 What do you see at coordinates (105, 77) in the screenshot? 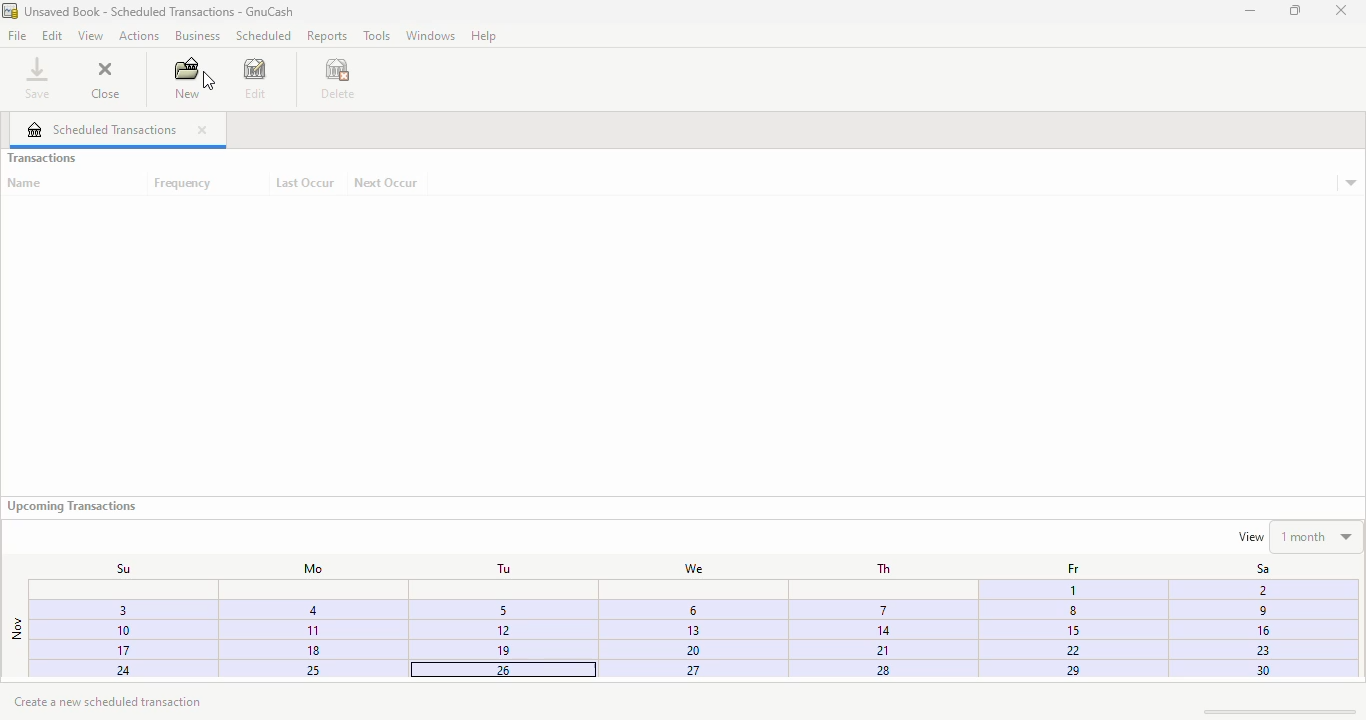
I see `close` at bounding box center [105, 77].